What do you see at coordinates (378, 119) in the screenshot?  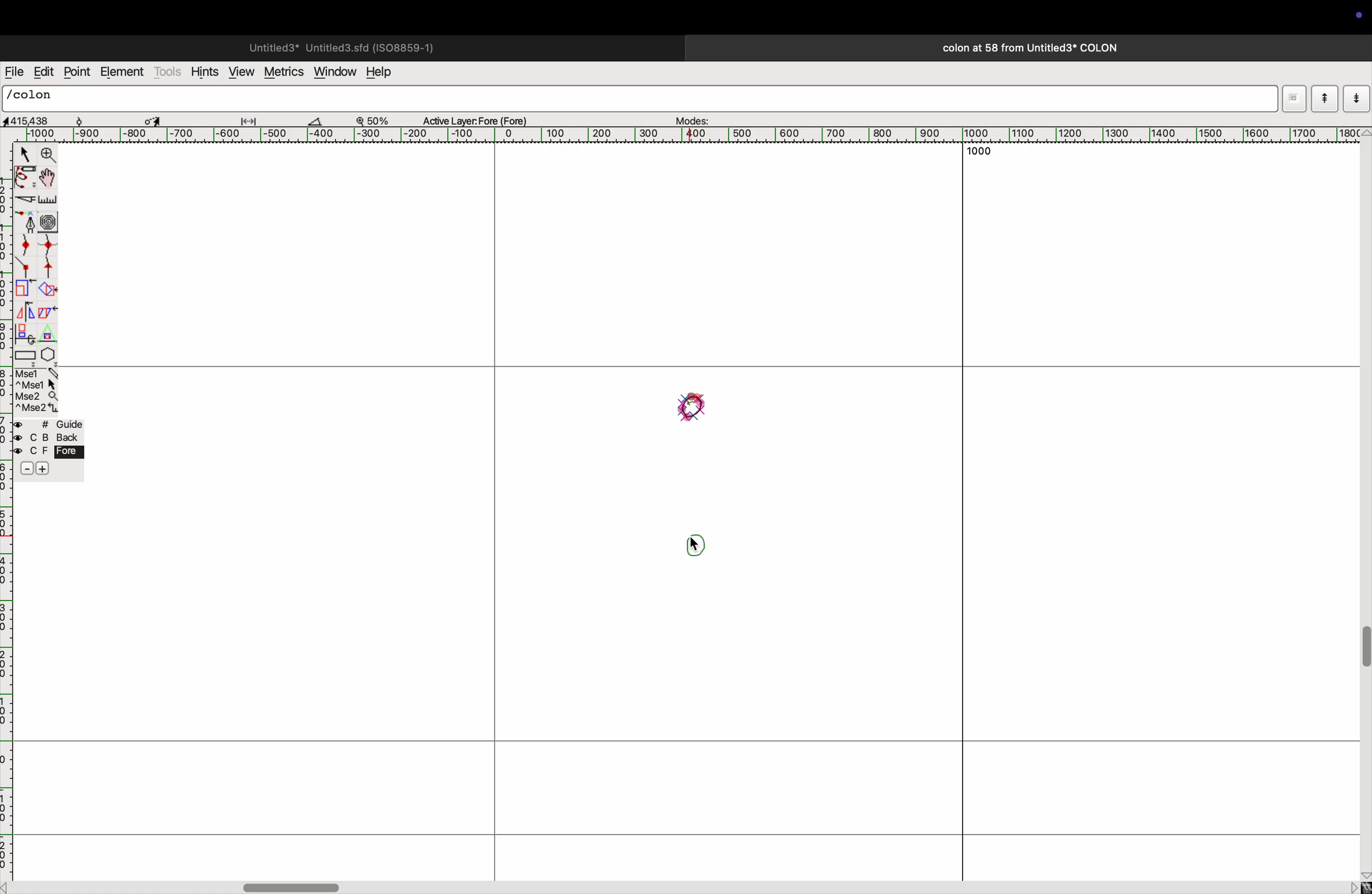 I see `zoom` at bounding box center [378, 119].